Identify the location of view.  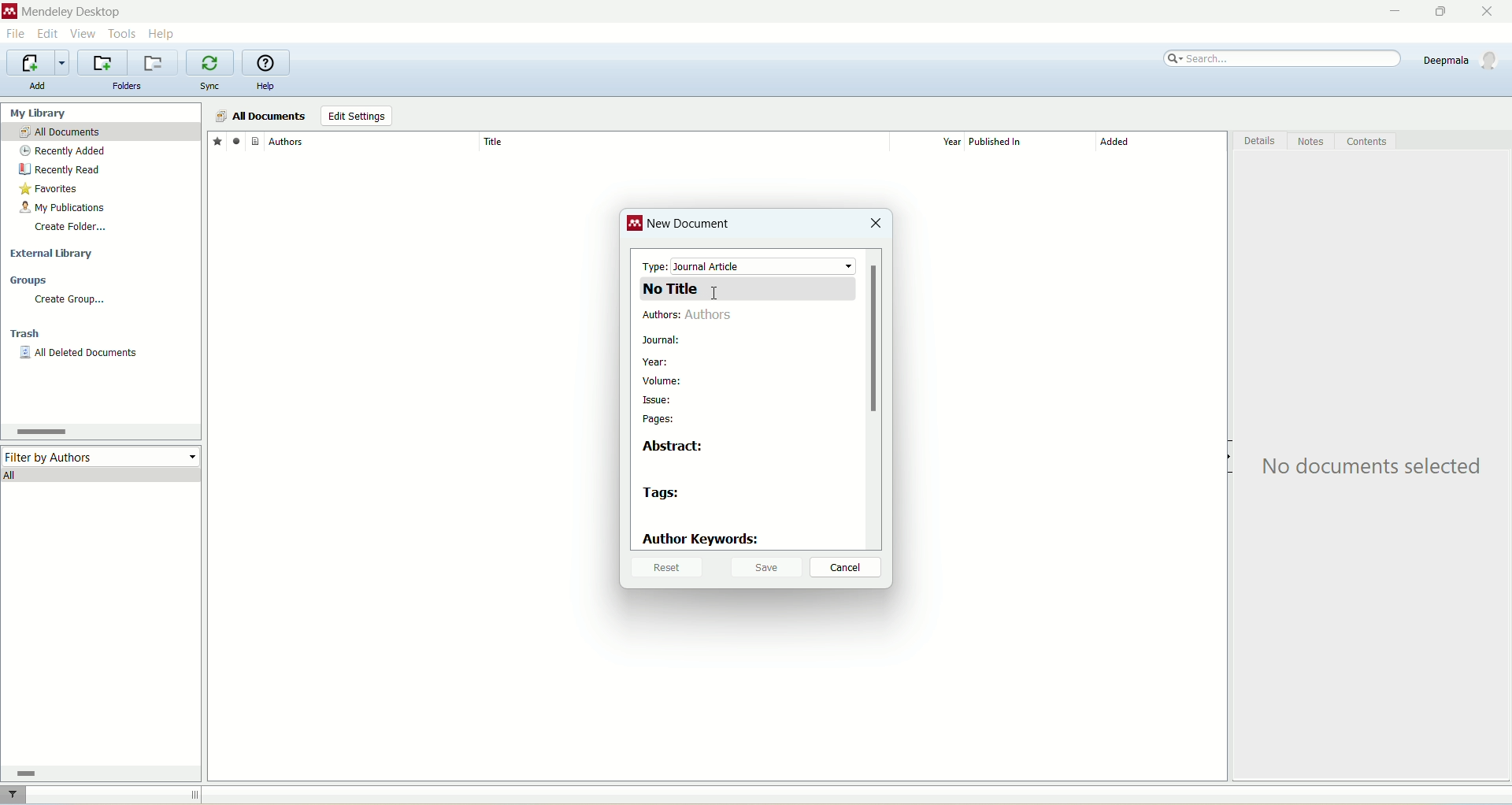
(84, 34).